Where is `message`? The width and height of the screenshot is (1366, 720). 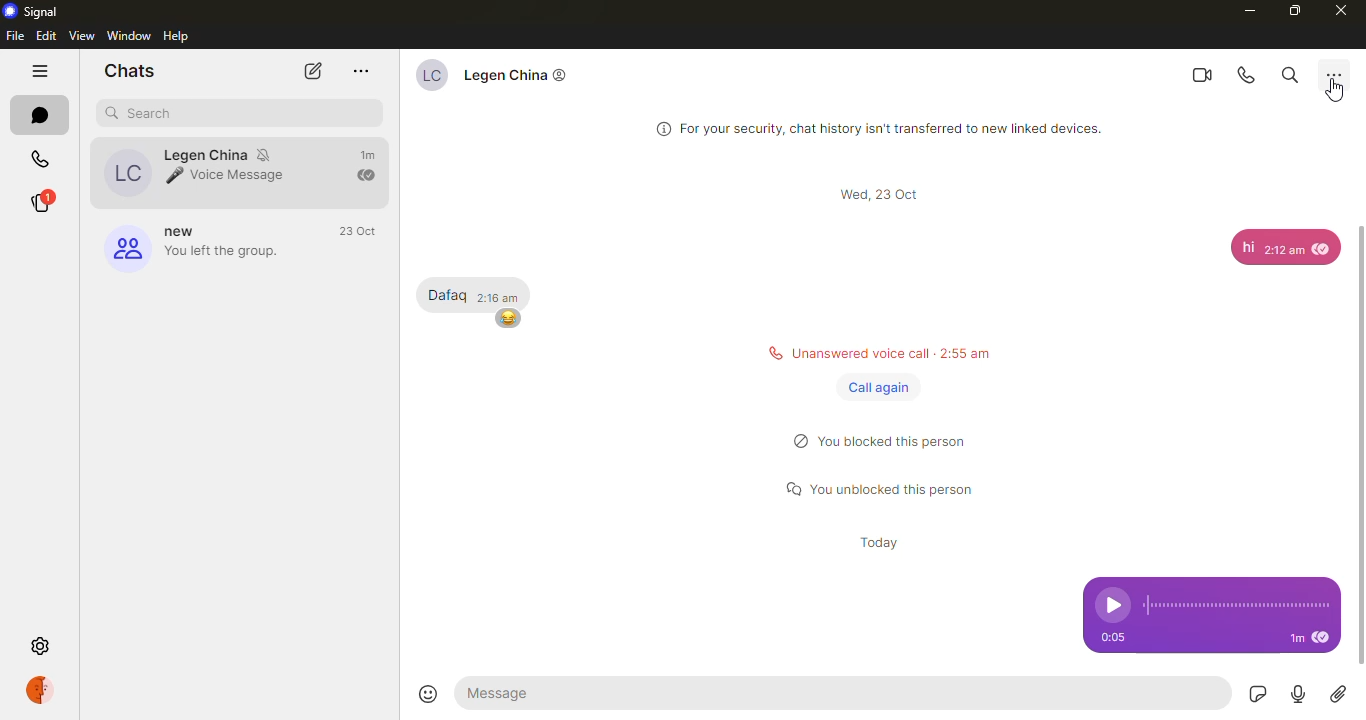
message is located at coordinates (447, 296).